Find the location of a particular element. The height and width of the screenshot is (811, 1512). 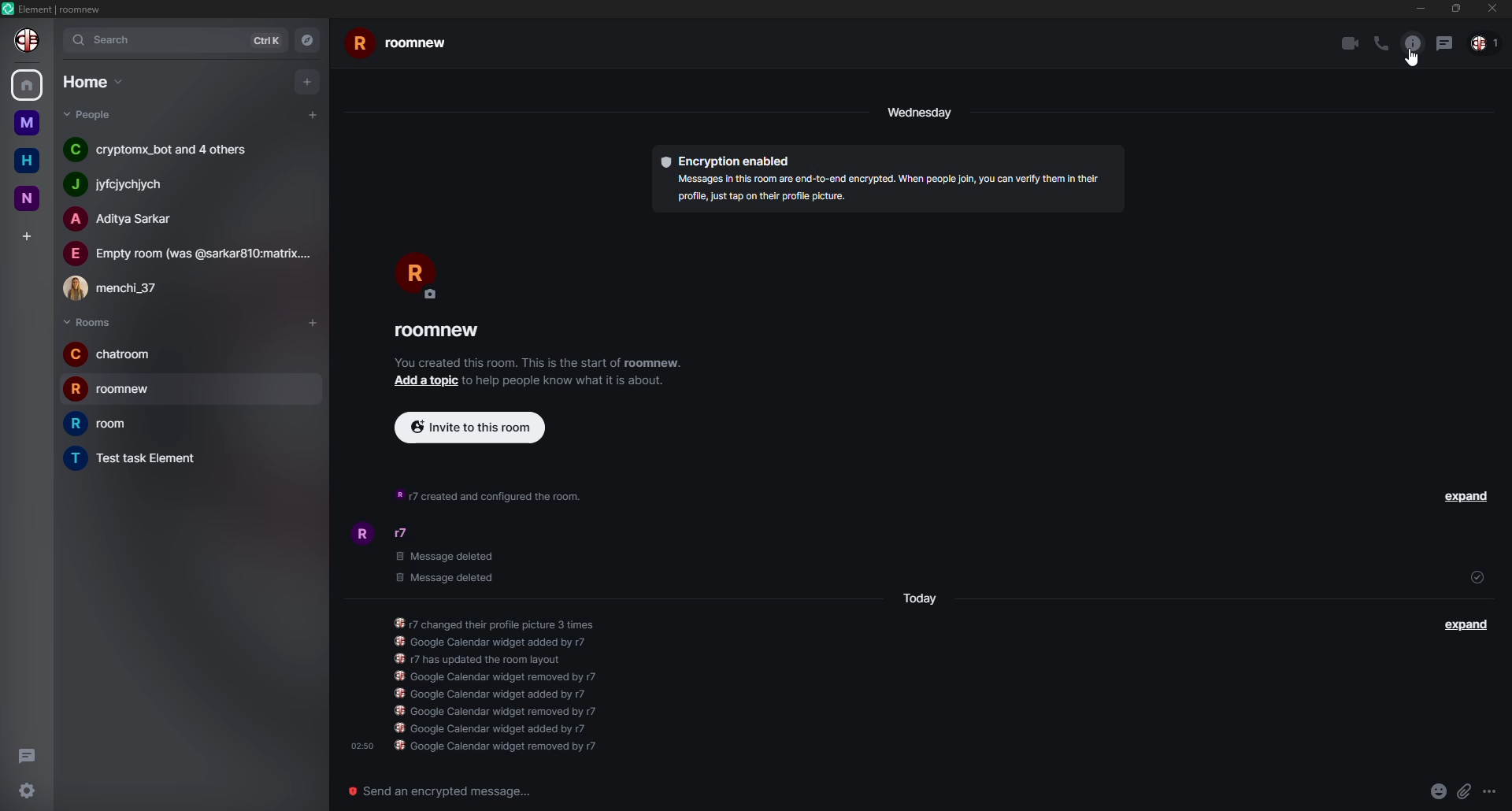

threads is located at coordinates (25, 753).